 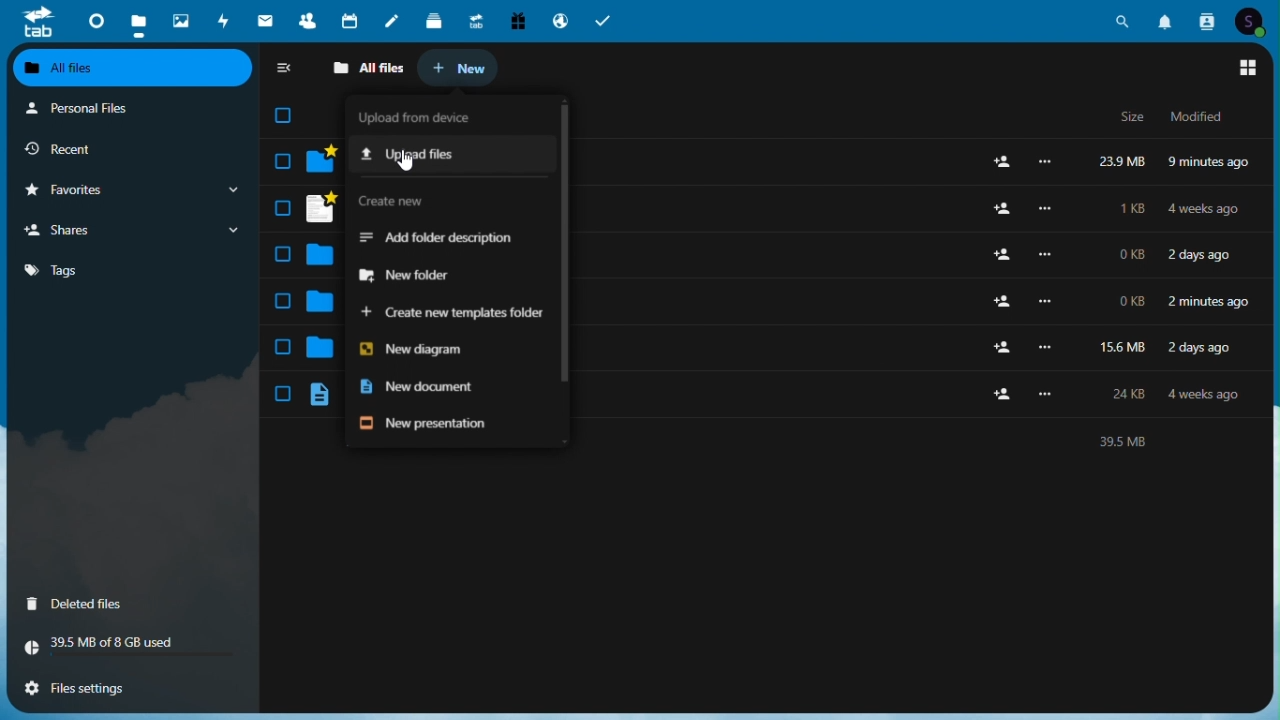 What do you see at coordinates (603, 19) in the screenshot?
I see `tasks` at bounding box center [603, 19].